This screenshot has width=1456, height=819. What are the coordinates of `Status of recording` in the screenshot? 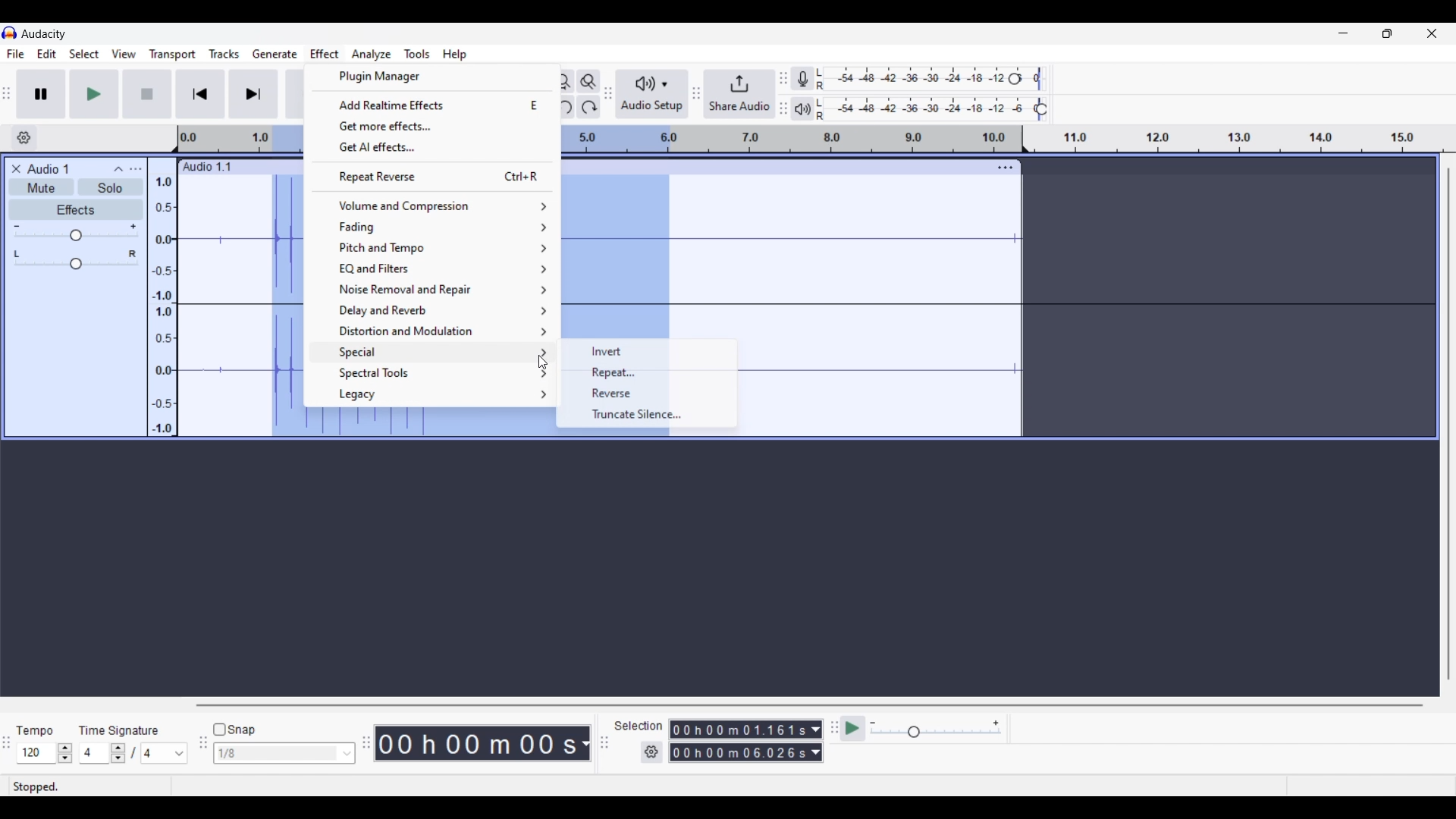 It's located at (89, 786).